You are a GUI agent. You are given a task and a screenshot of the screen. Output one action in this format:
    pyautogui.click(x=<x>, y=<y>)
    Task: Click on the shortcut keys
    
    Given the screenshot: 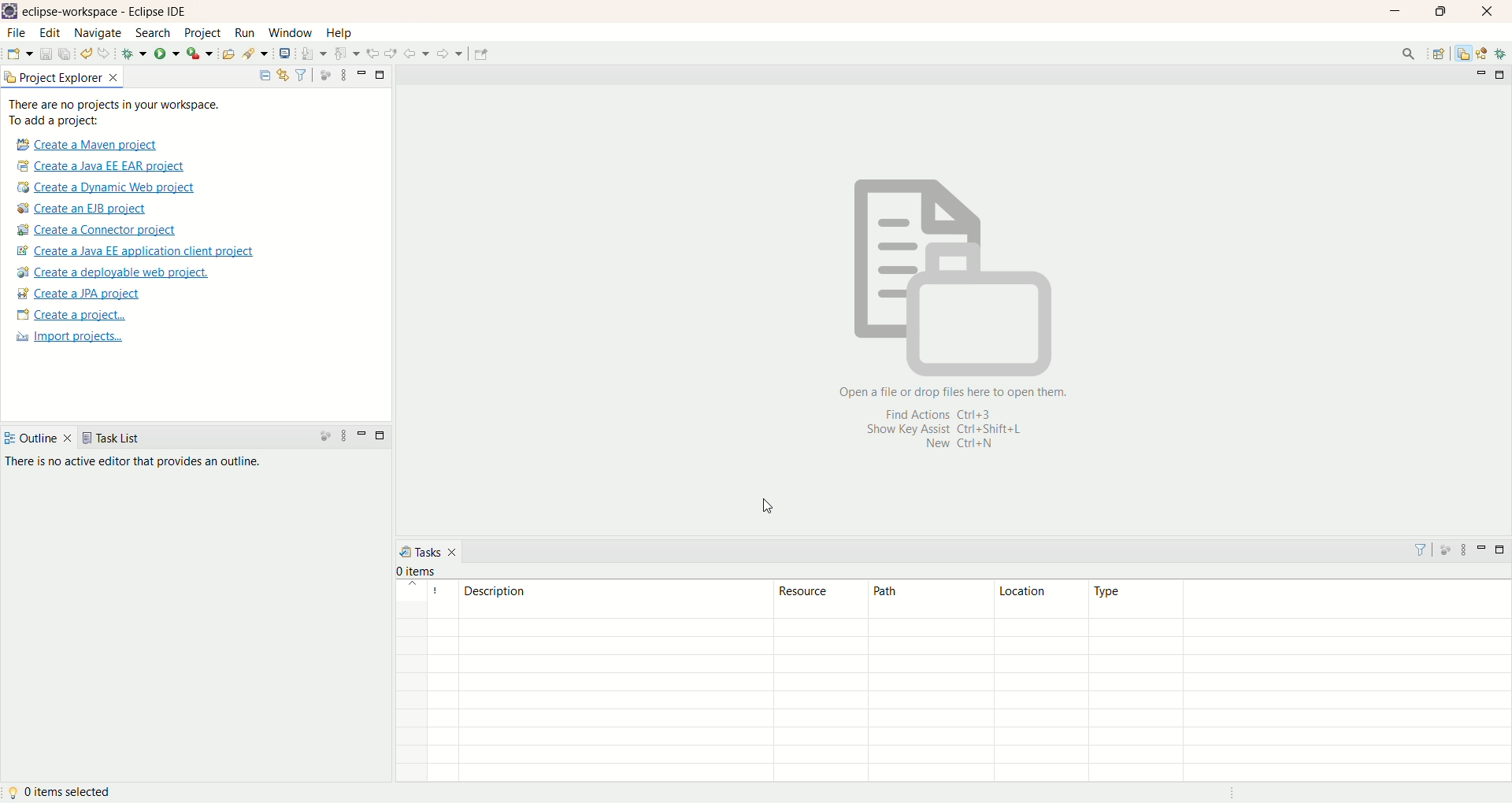 What is the action you would take?
    pyautogui.click(x=945, y=432)
    